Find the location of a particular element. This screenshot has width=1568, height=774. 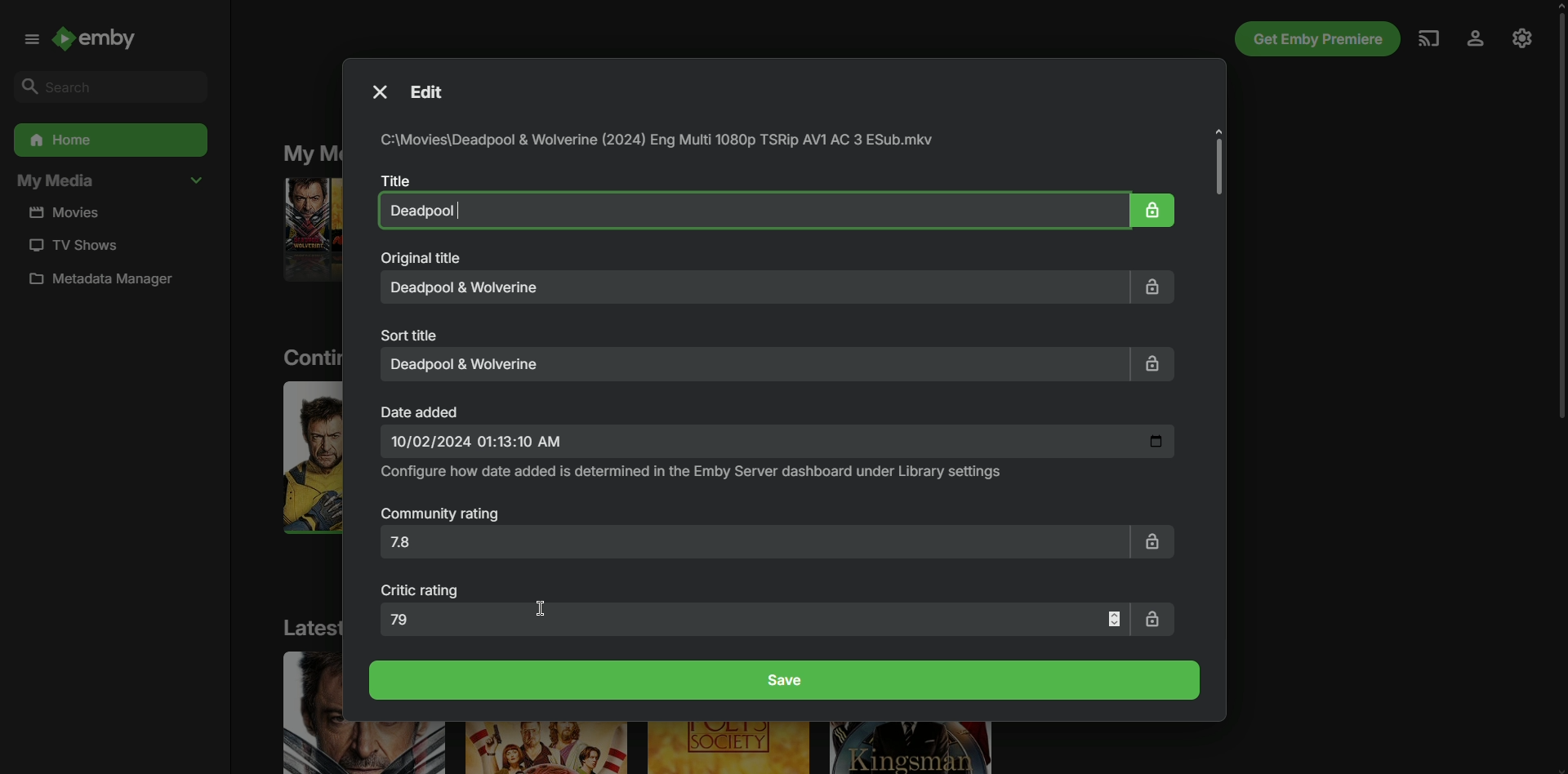

Date added is located at coordinates (422, 411).